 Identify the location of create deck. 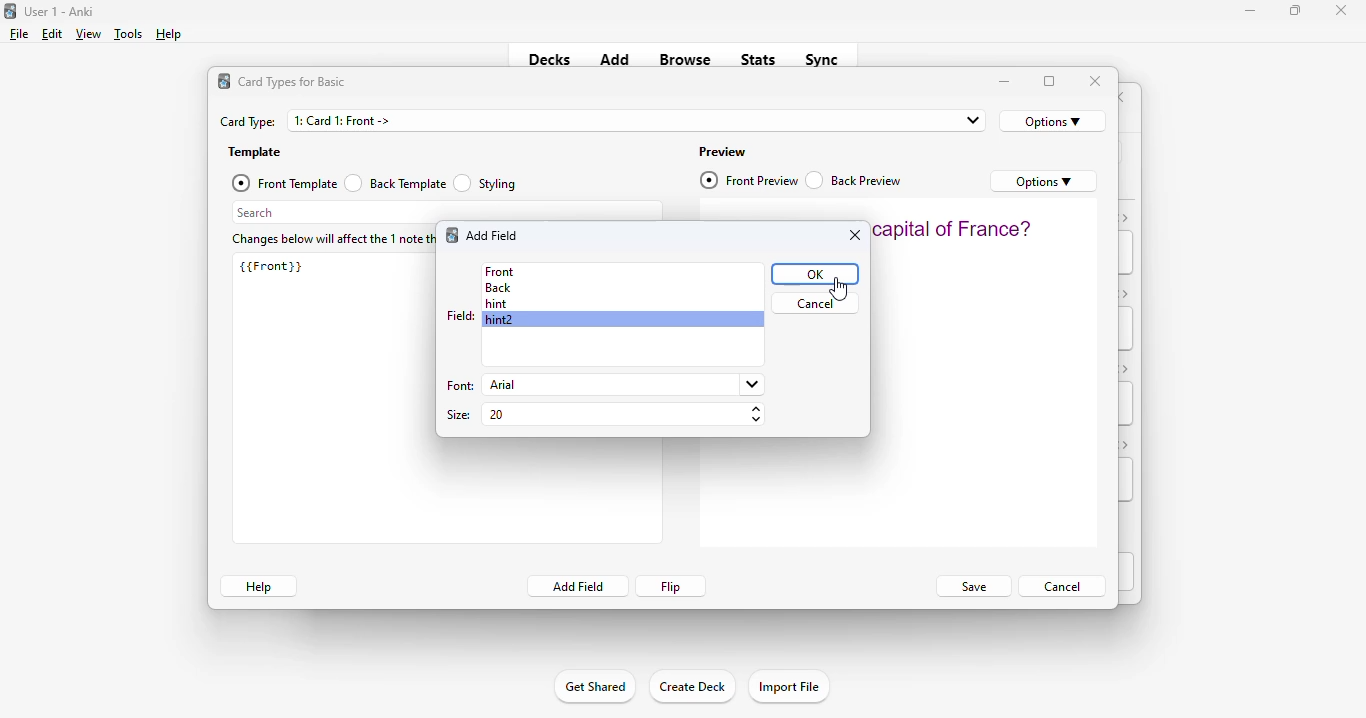
(691, 685).